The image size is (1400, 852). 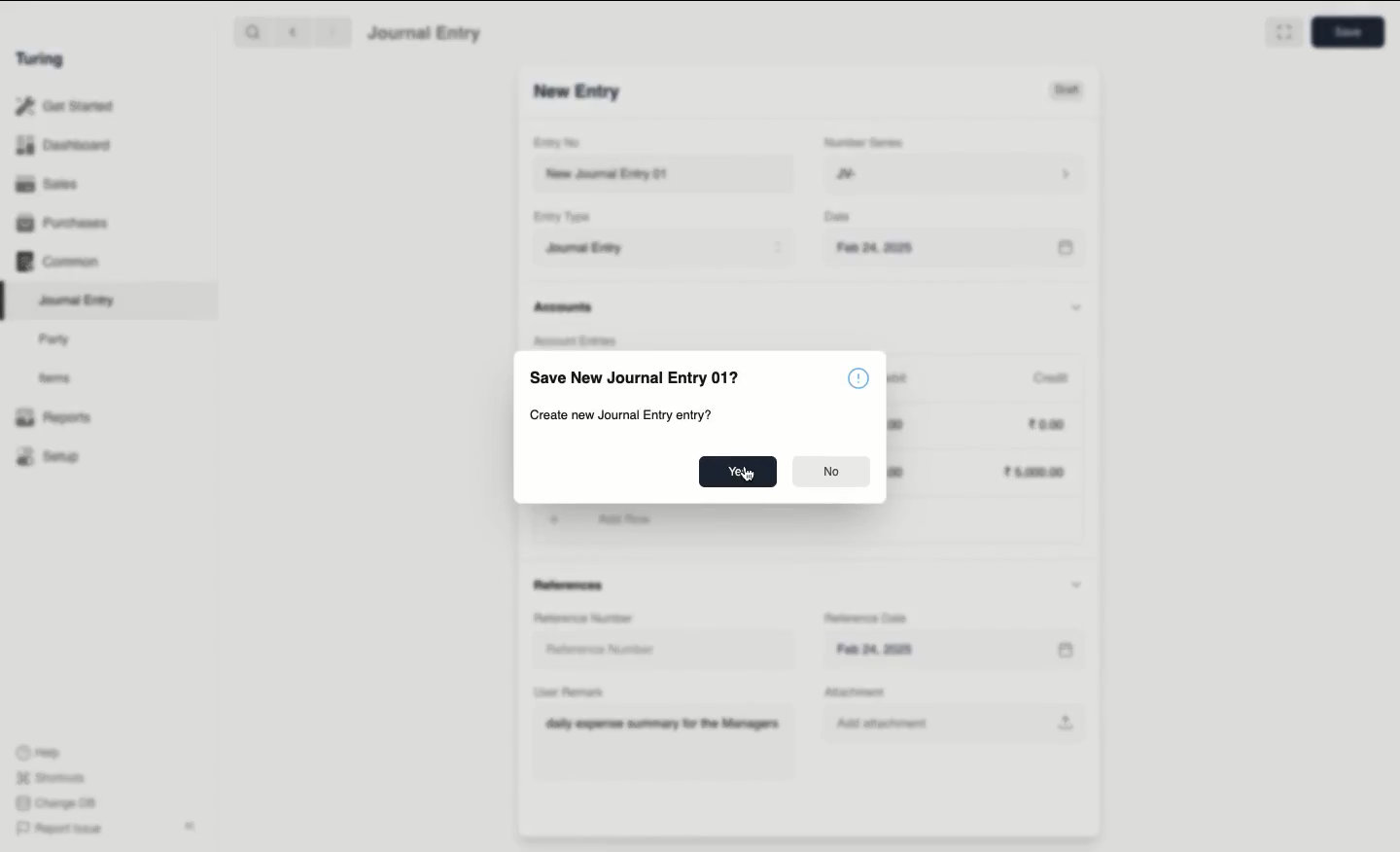 I want to click on Shortcuts, so click(x=53, y=778).